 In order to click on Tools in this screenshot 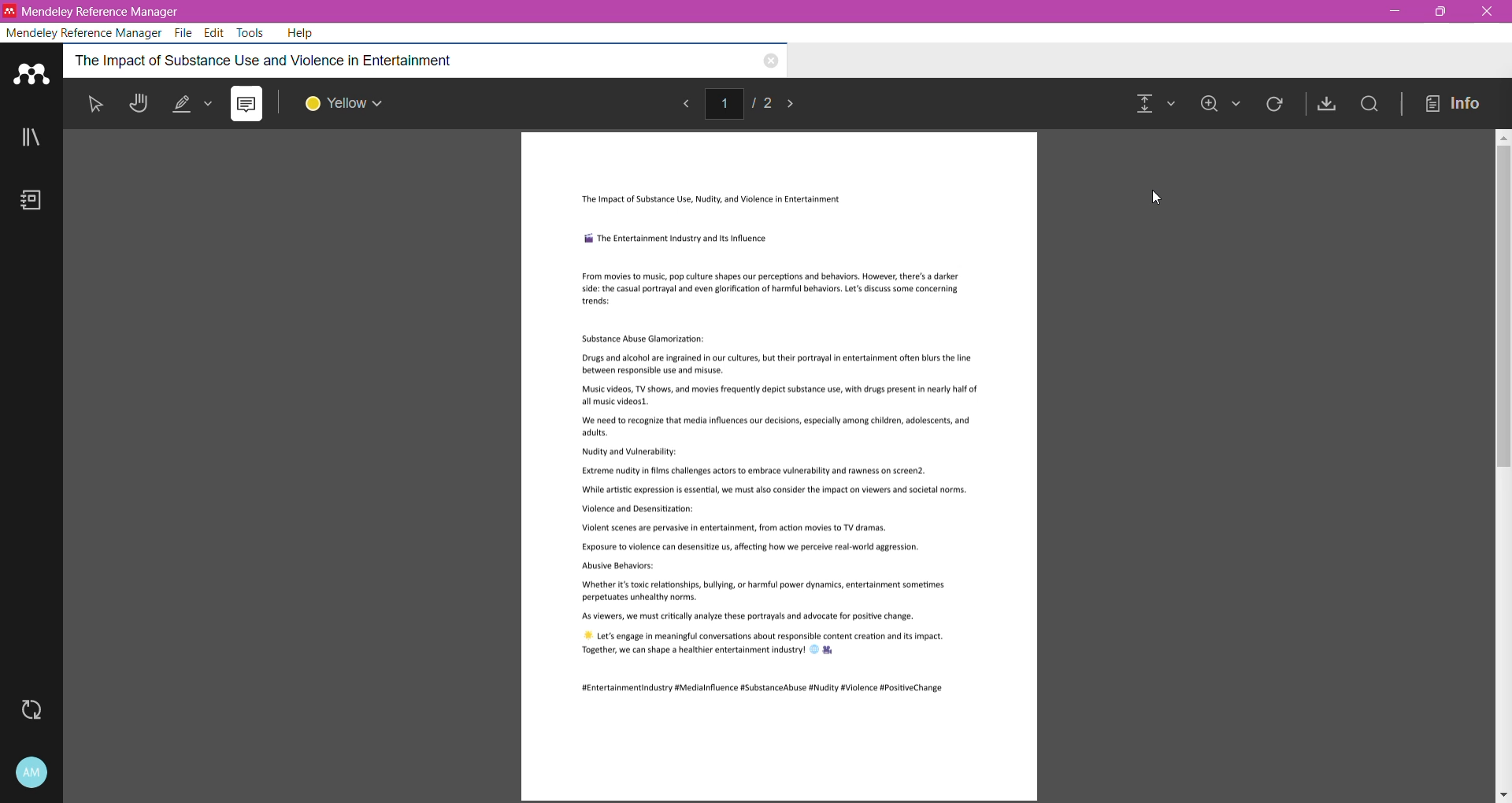, I will do `click(252, 33)`.